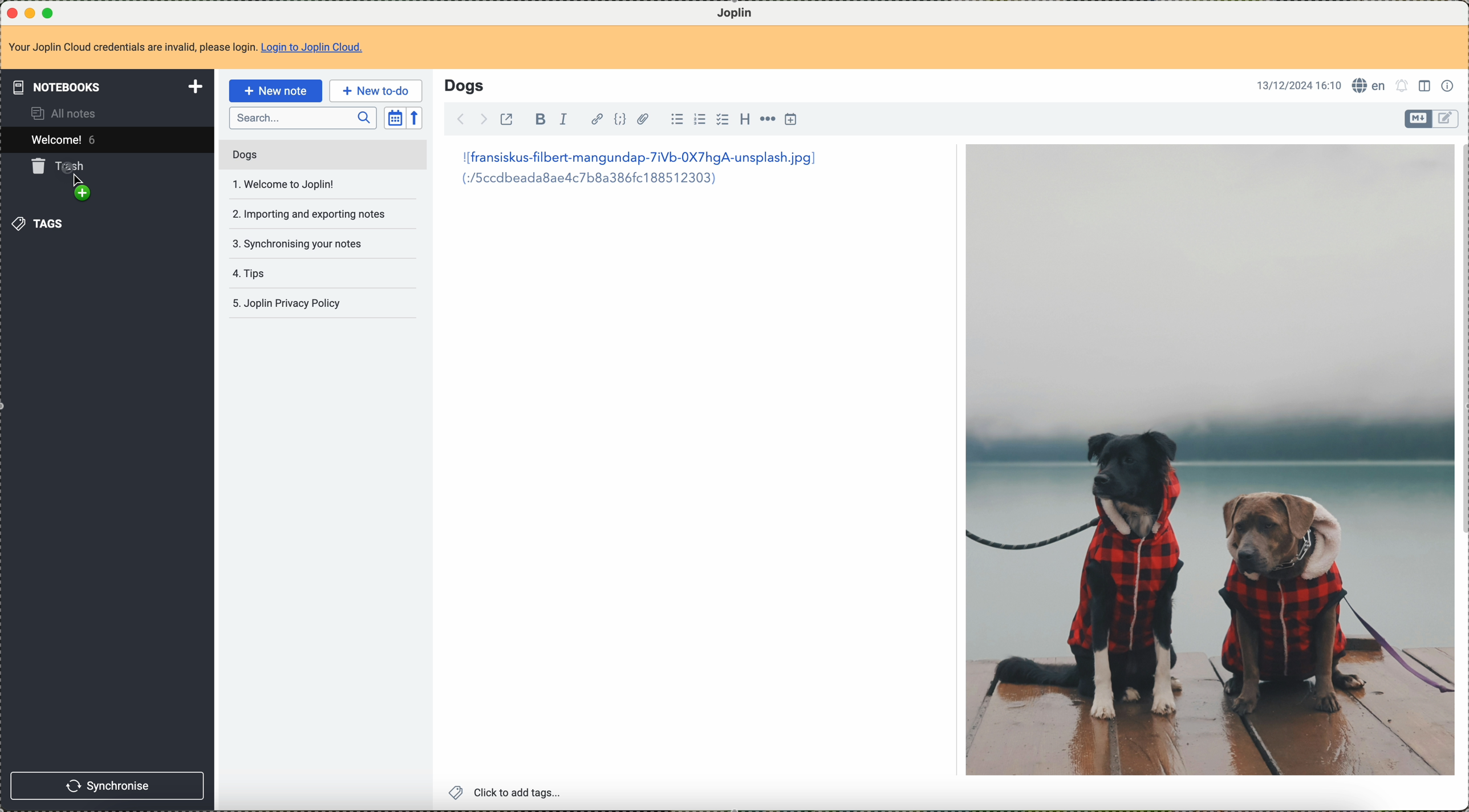  Describe the element at coordinates (699, 120) in the screenshot. I see `numbered list` at that location.